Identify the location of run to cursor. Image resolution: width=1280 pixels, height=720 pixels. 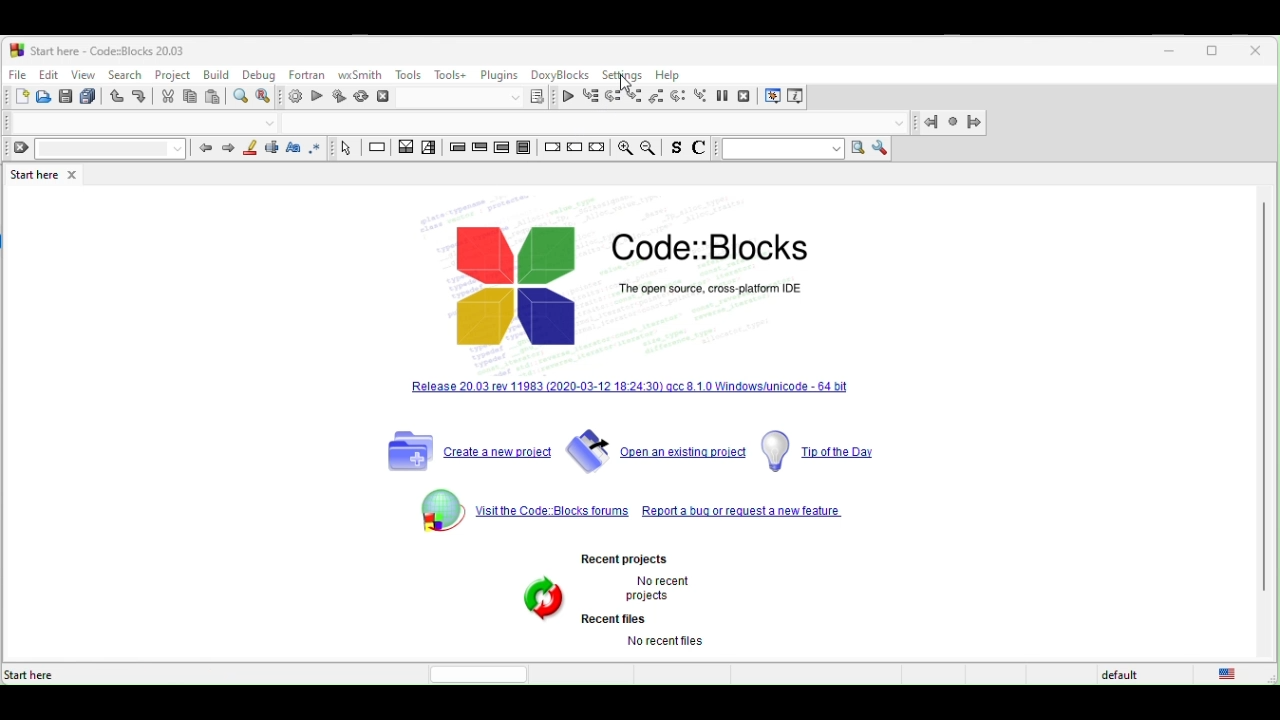
(591, 97).